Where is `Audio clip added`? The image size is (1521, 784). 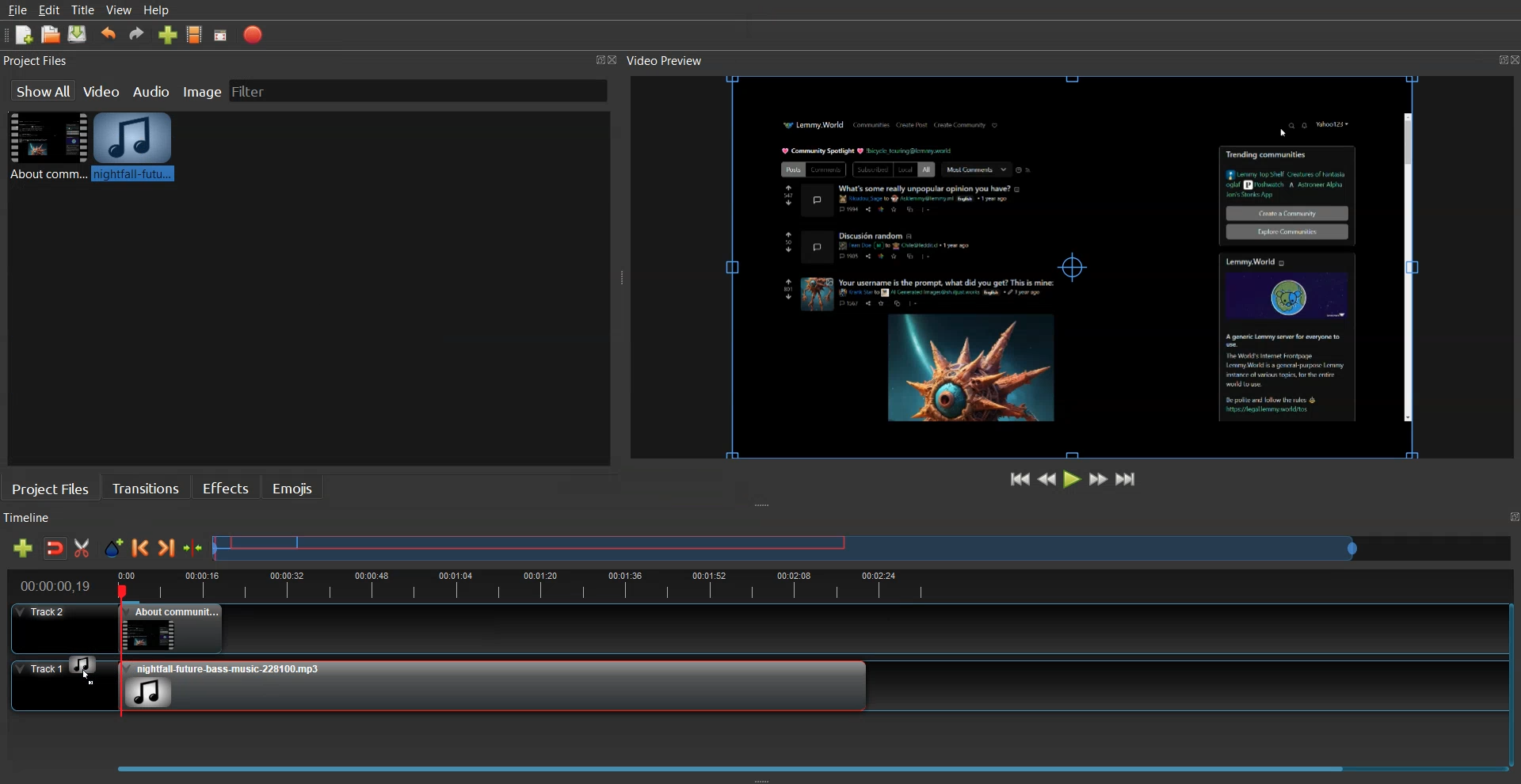 Audio clip added is located at coordinates (494, 685).